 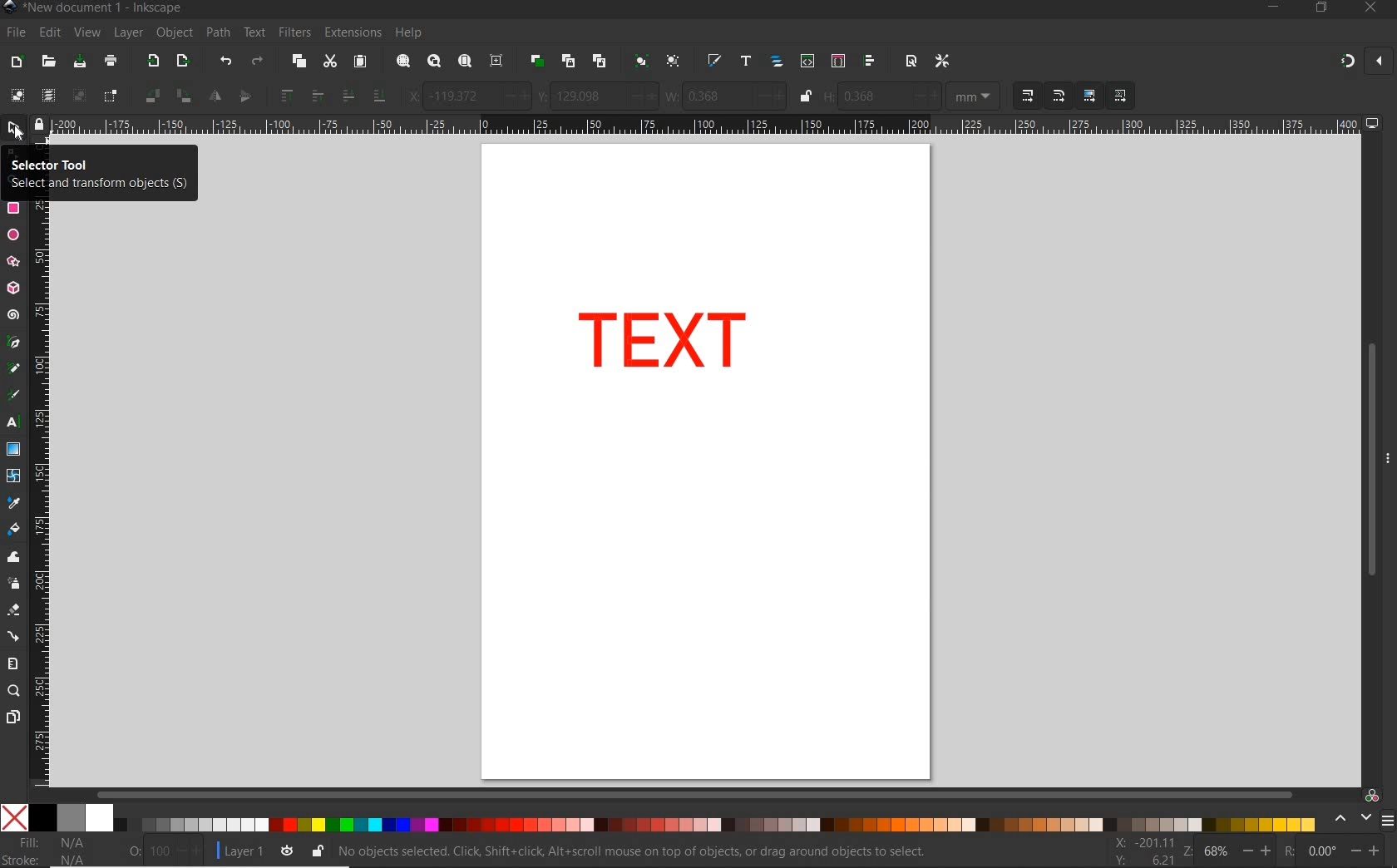 I want to click on MEASUREMENT, so click(x=974, y=98).